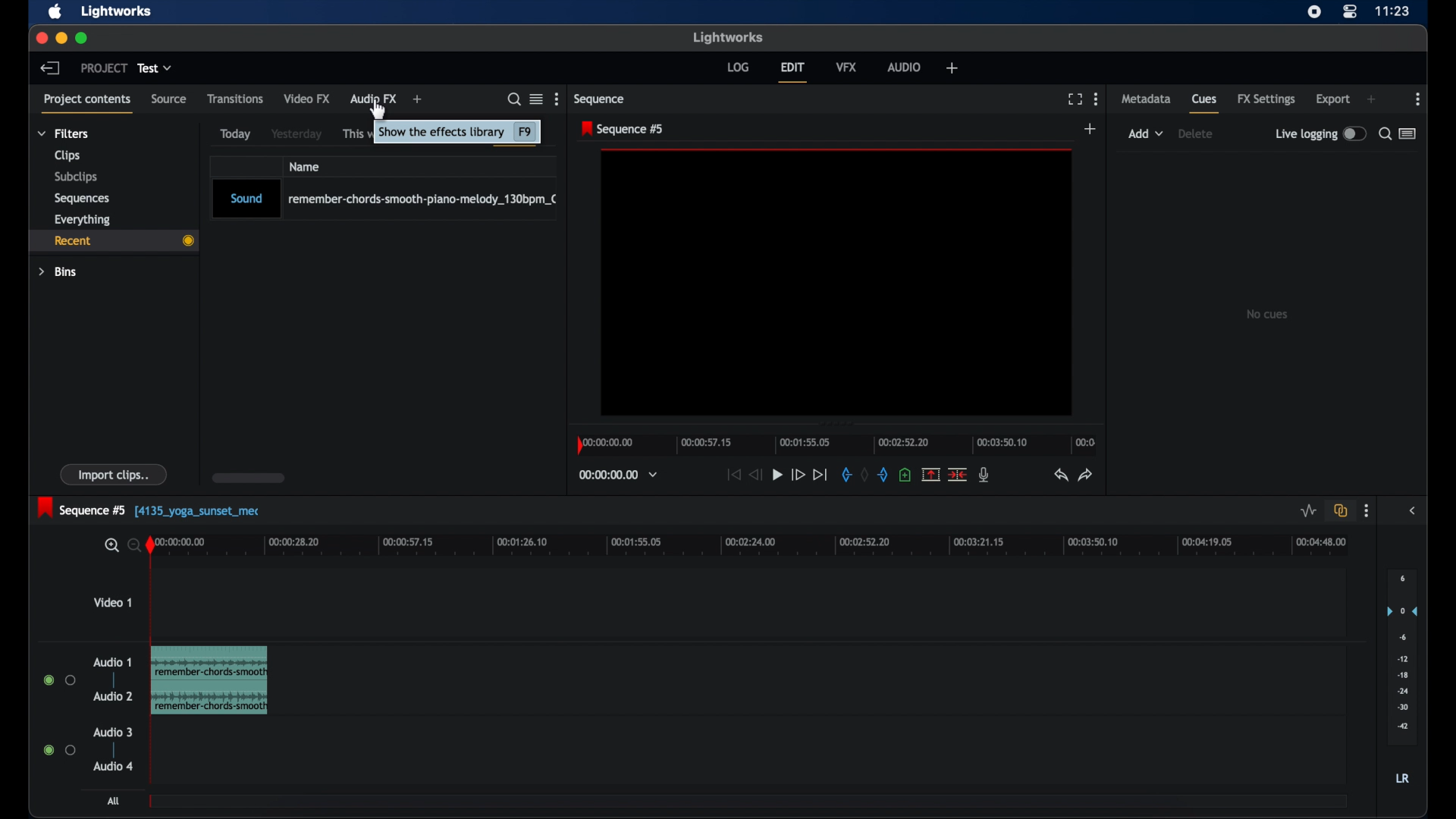 The width and height of the screenshot is (1456, 819). What do you see at coordinates (113, 242) in the screenshot?
I see `recent` at bounding box center [113, 242].